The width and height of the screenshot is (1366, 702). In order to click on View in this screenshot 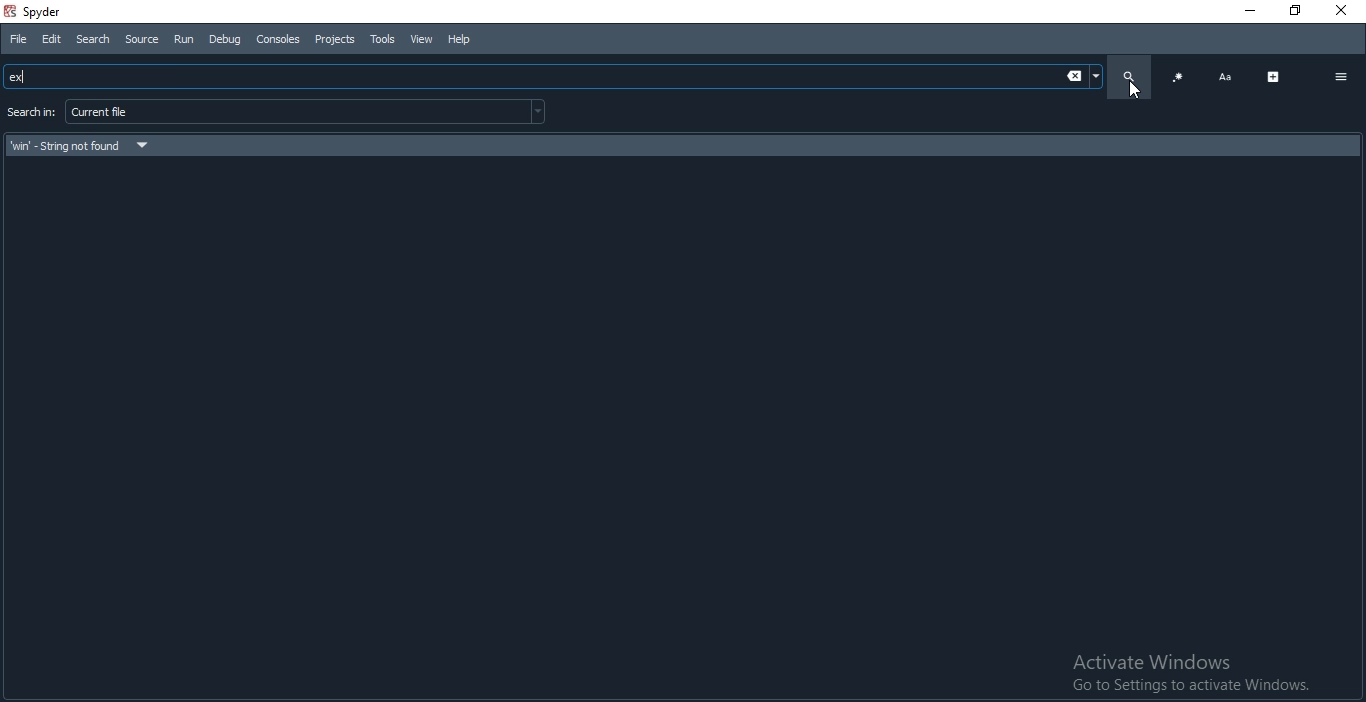, I will do `click(419, 39)`.